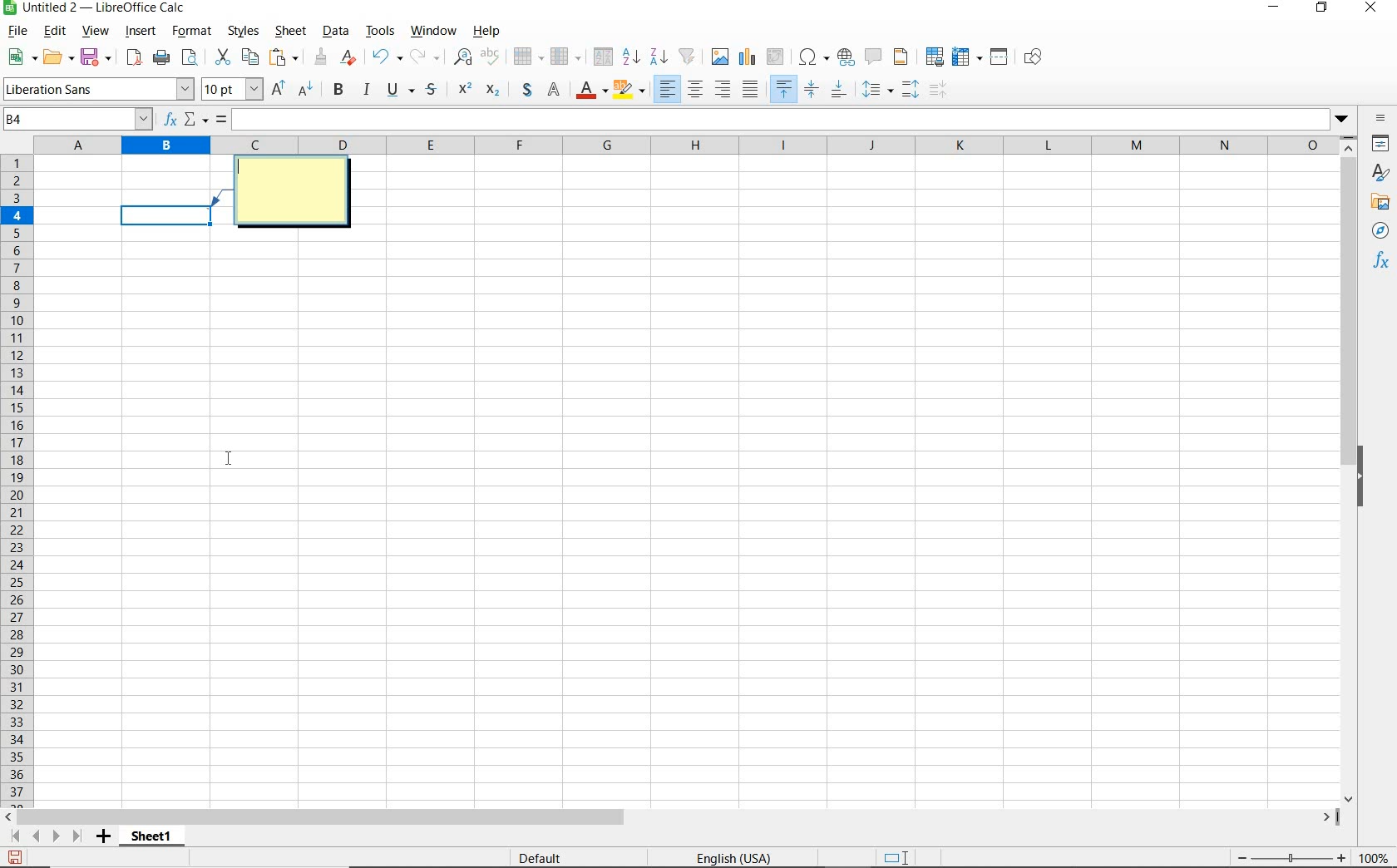  Describe the element at coordinates (306, 91) in the screenshot. I see `Decrease font size` at that location.